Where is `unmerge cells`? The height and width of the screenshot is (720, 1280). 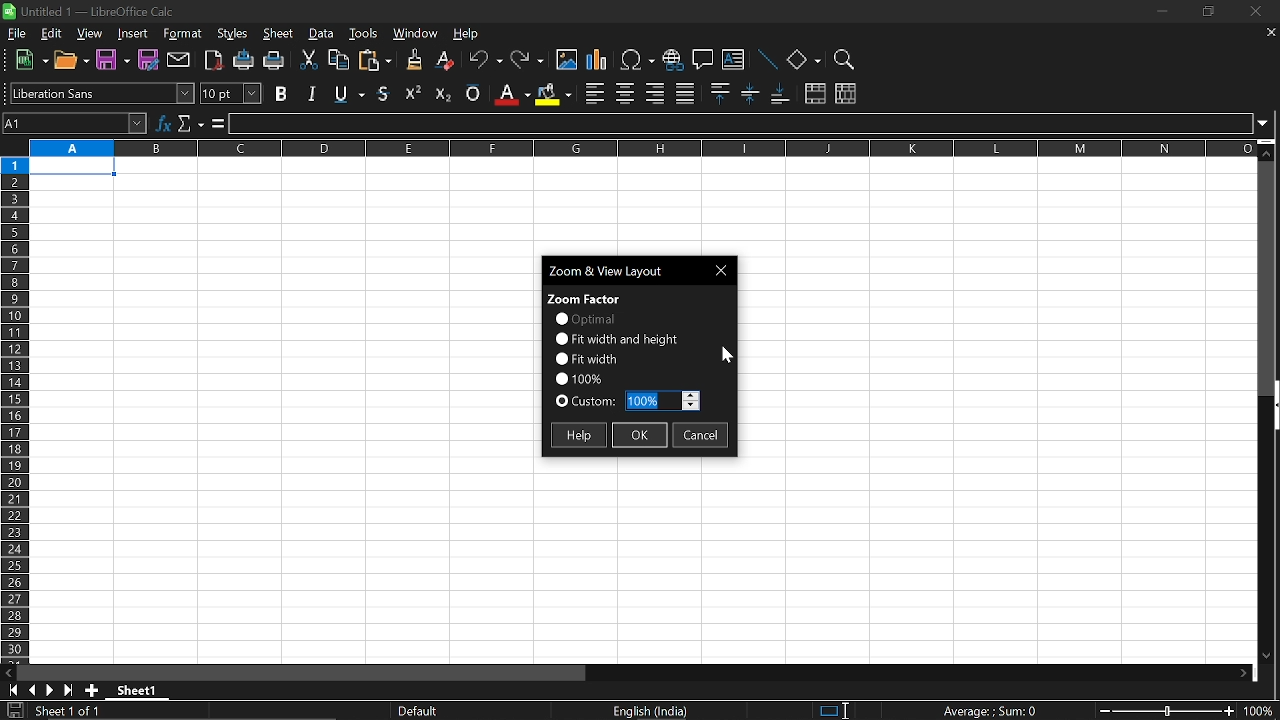
unmerge cells is located at coordinates (845, 93).